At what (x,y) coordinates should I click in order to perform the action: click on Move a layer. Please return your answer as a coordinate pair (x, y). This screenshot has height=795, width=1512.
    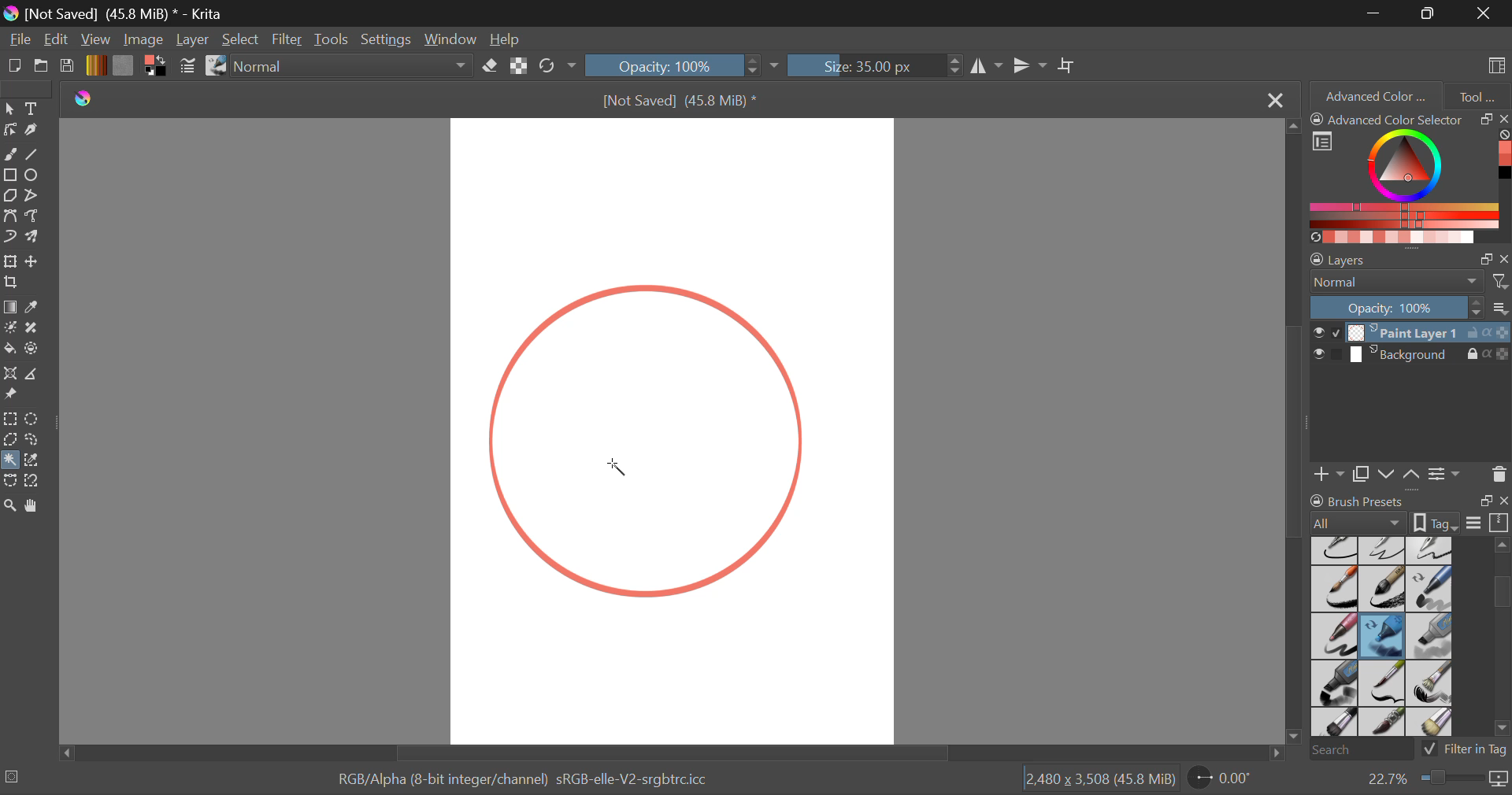
    Looking at the image, I should click on (34, 261).